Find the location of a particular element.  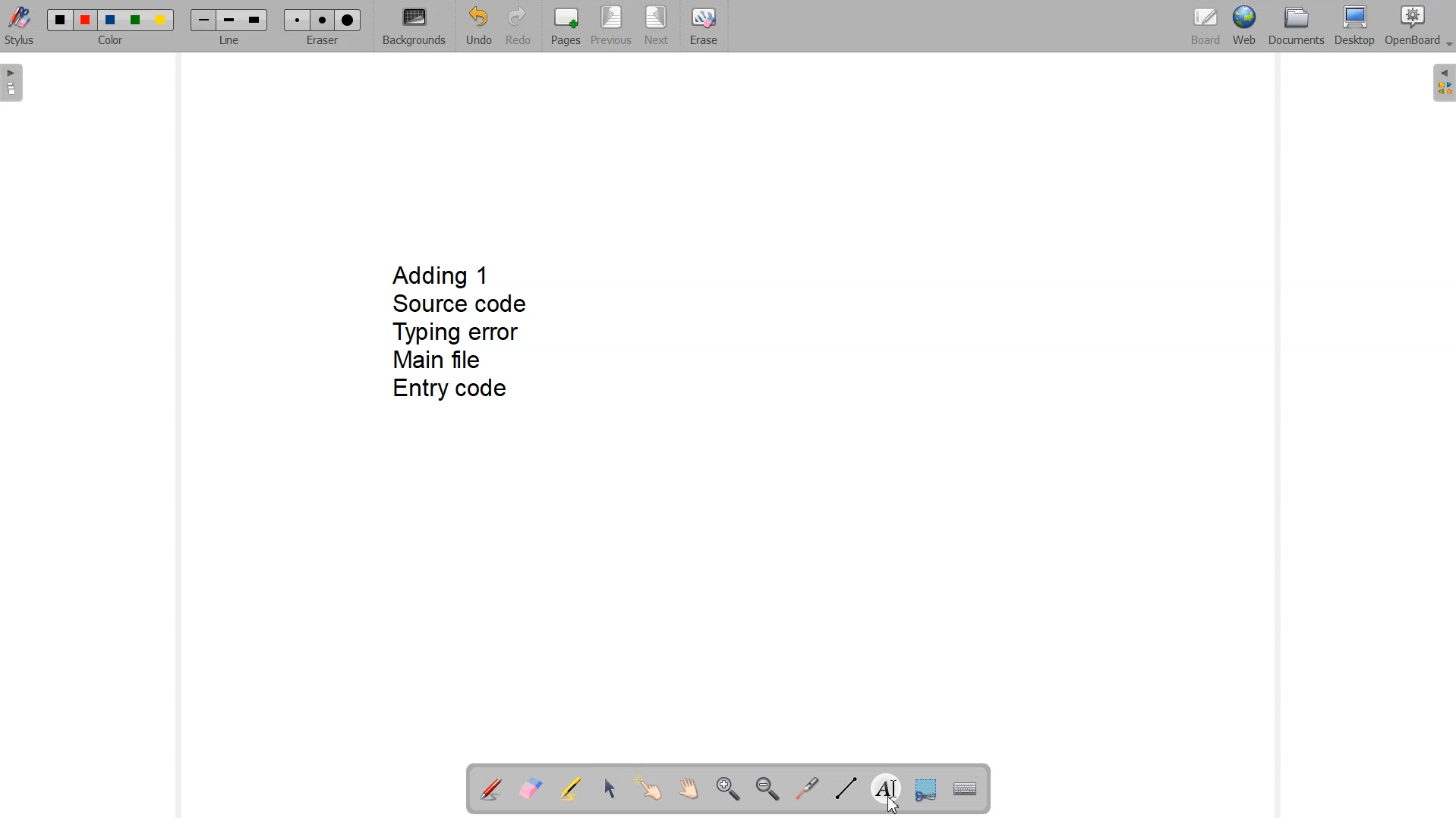

Color 3 is located at coordinates (110, 20).